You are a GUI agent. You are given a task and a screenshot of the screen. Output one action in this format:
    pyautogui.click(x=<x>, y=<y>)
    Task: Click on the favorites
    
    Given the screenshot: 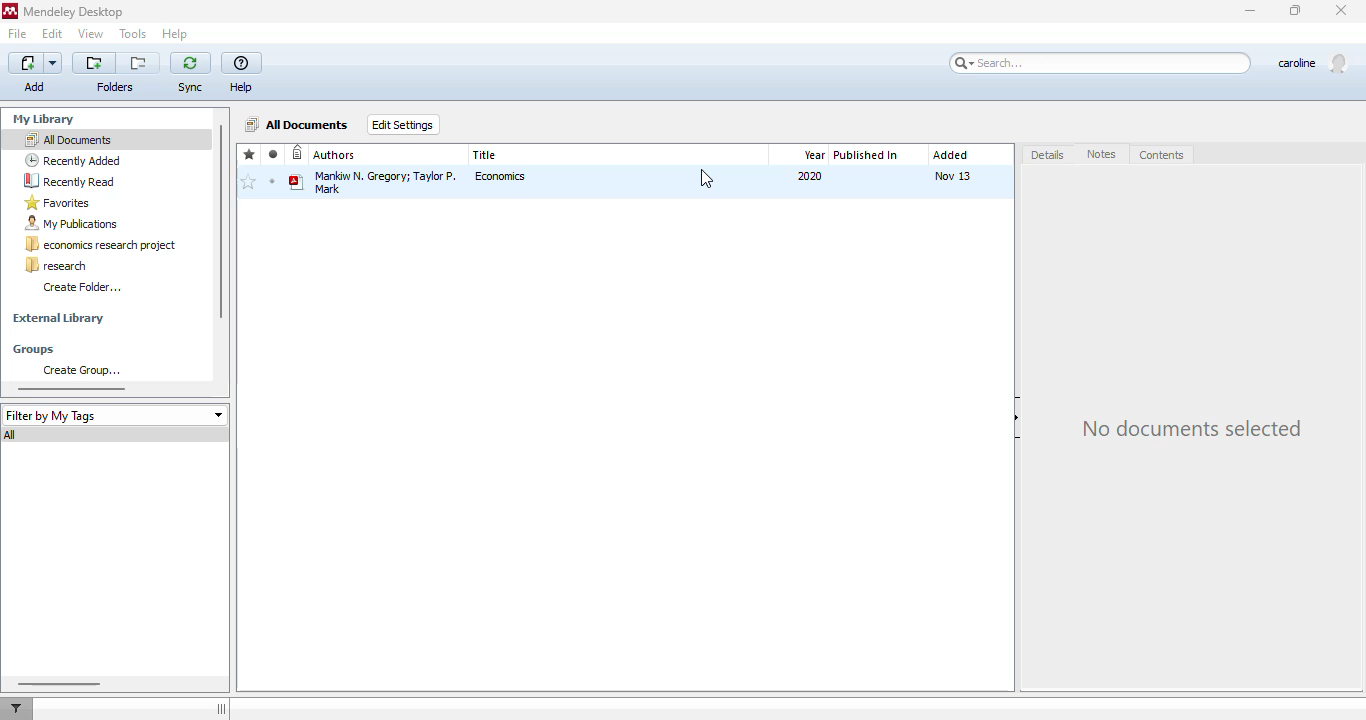 What is the action you would take?
    pyautogui.click(x=250, y=155)
    